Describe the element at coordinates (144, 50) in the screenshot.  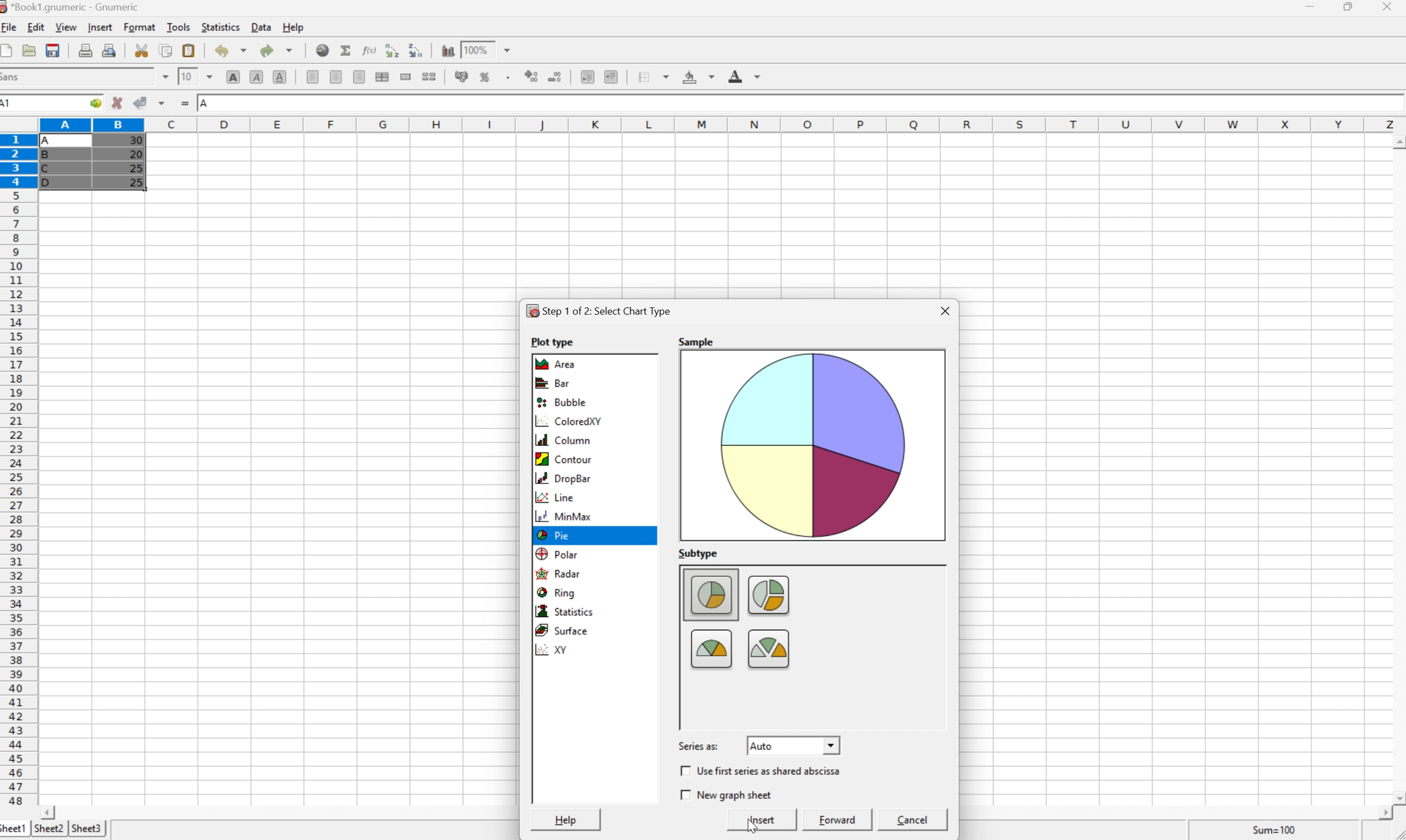
I see `Cut the selection` at that location.